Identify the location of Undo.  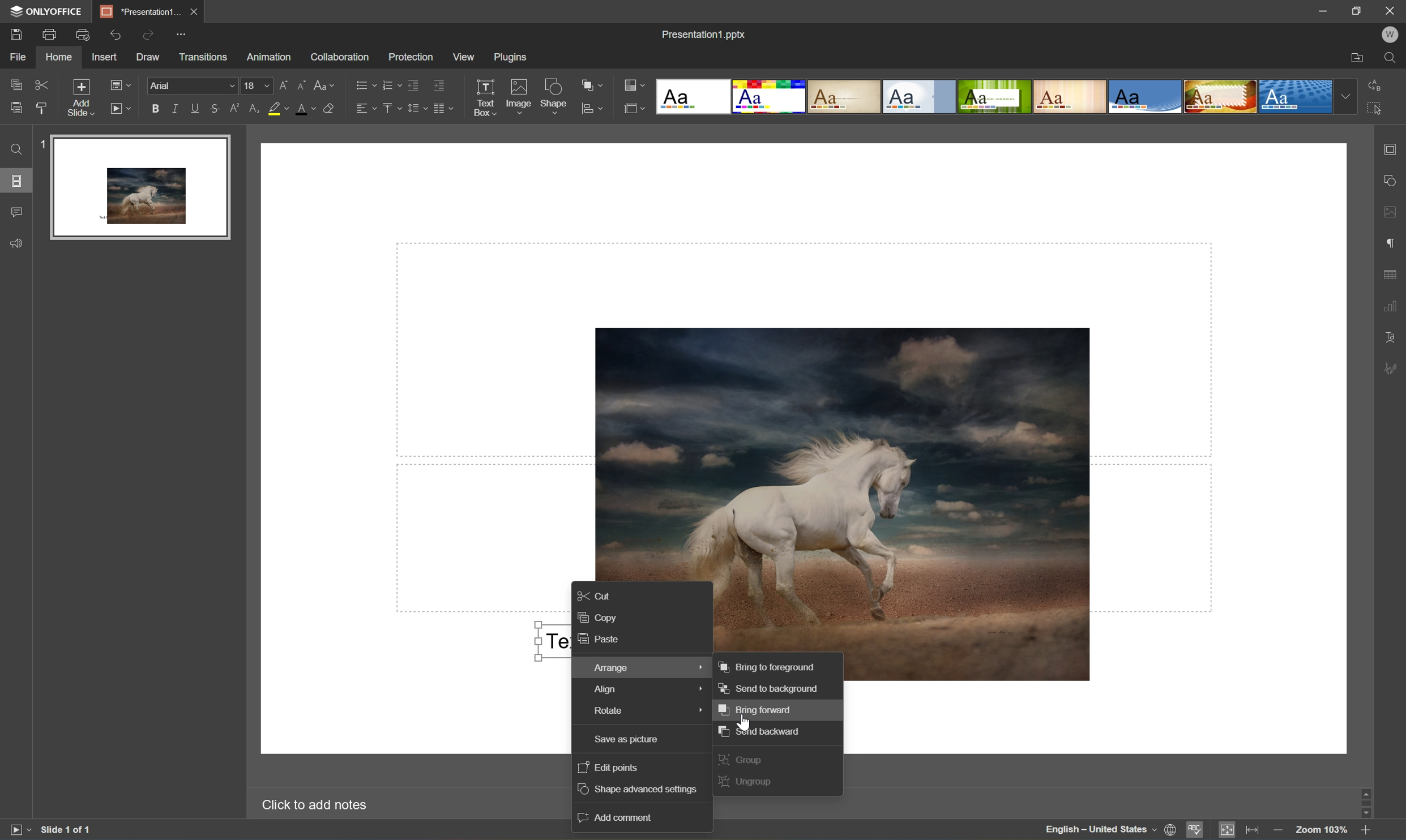
(117, 36).